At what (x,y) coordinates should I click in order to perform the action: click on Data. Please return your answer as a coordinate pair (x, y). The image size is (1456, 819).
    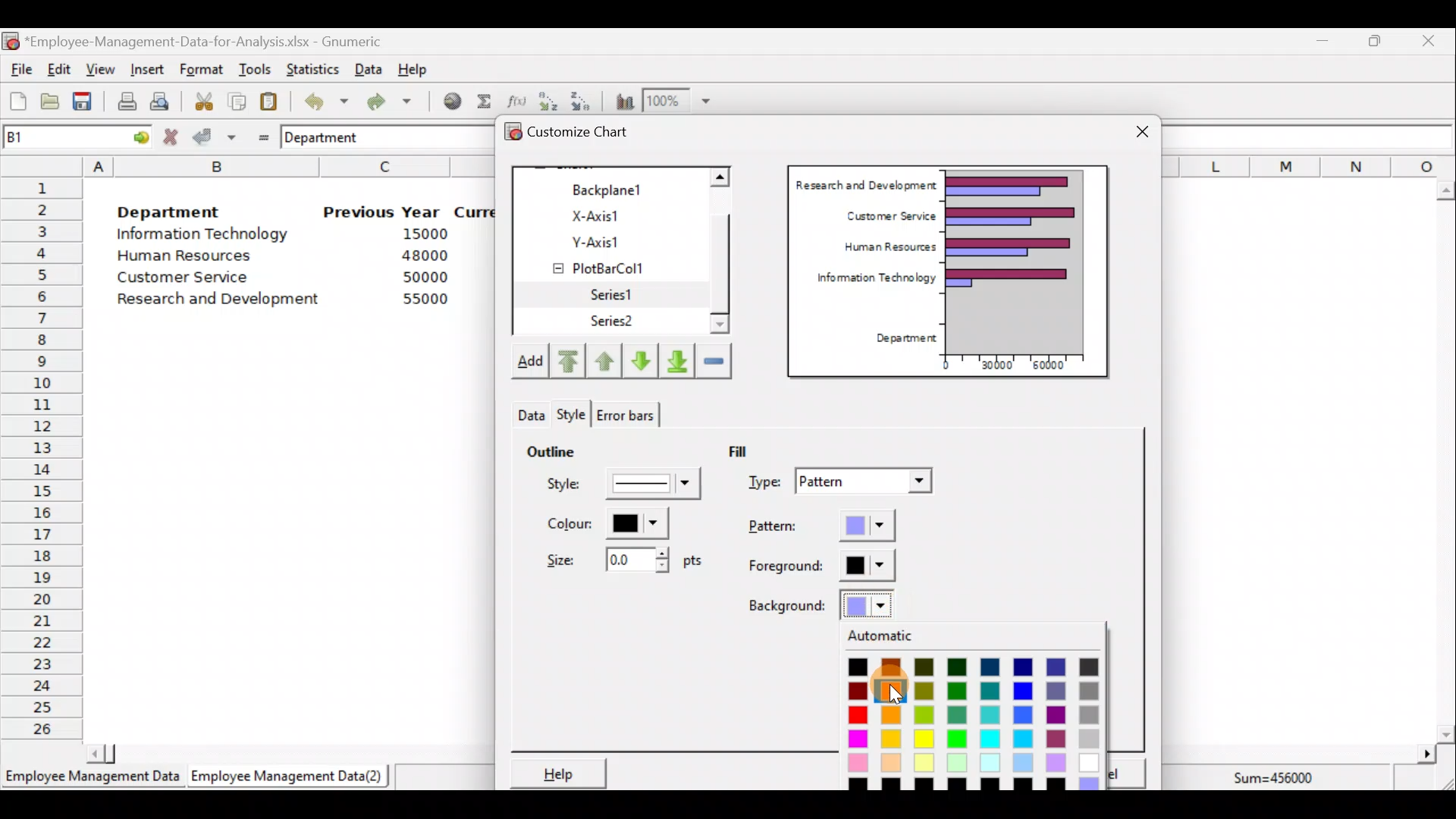
    Looking at the image, I should click on (369, 69).